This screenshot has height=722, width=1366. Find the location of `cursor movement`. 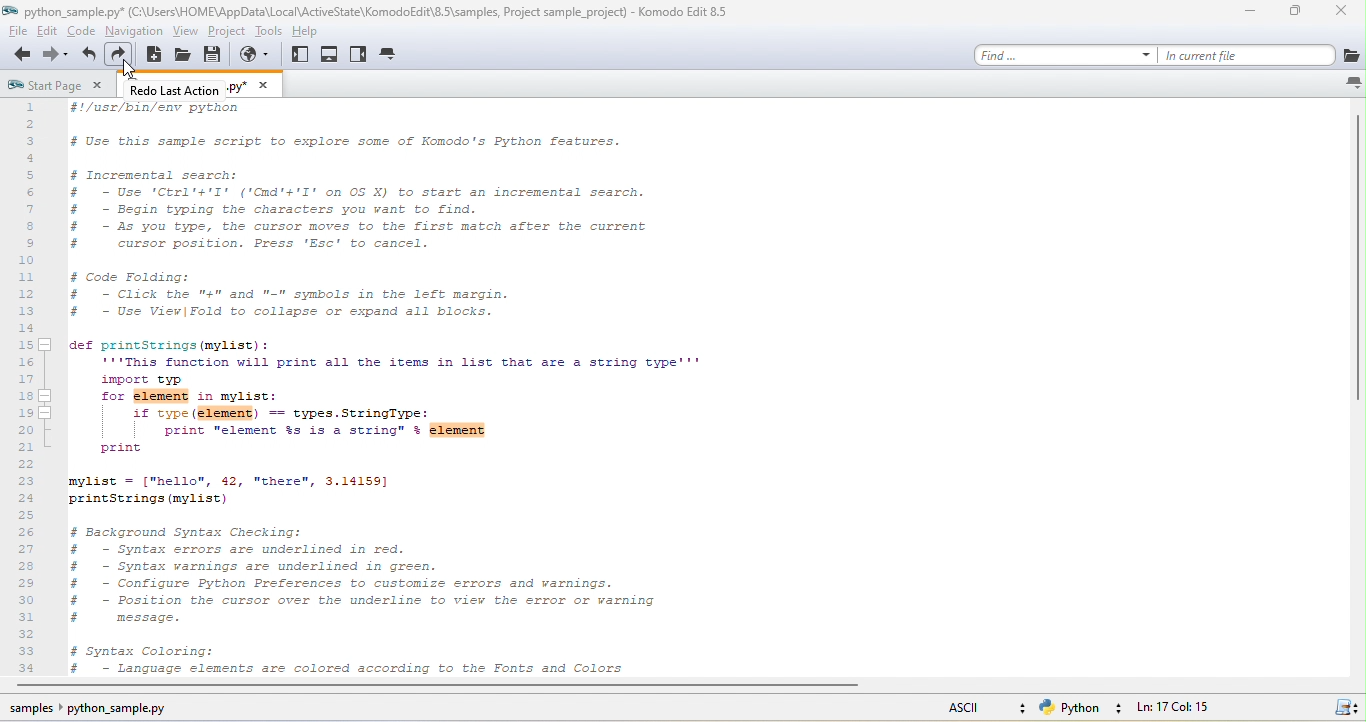

cursor movement is located at coordinates (131, 72).